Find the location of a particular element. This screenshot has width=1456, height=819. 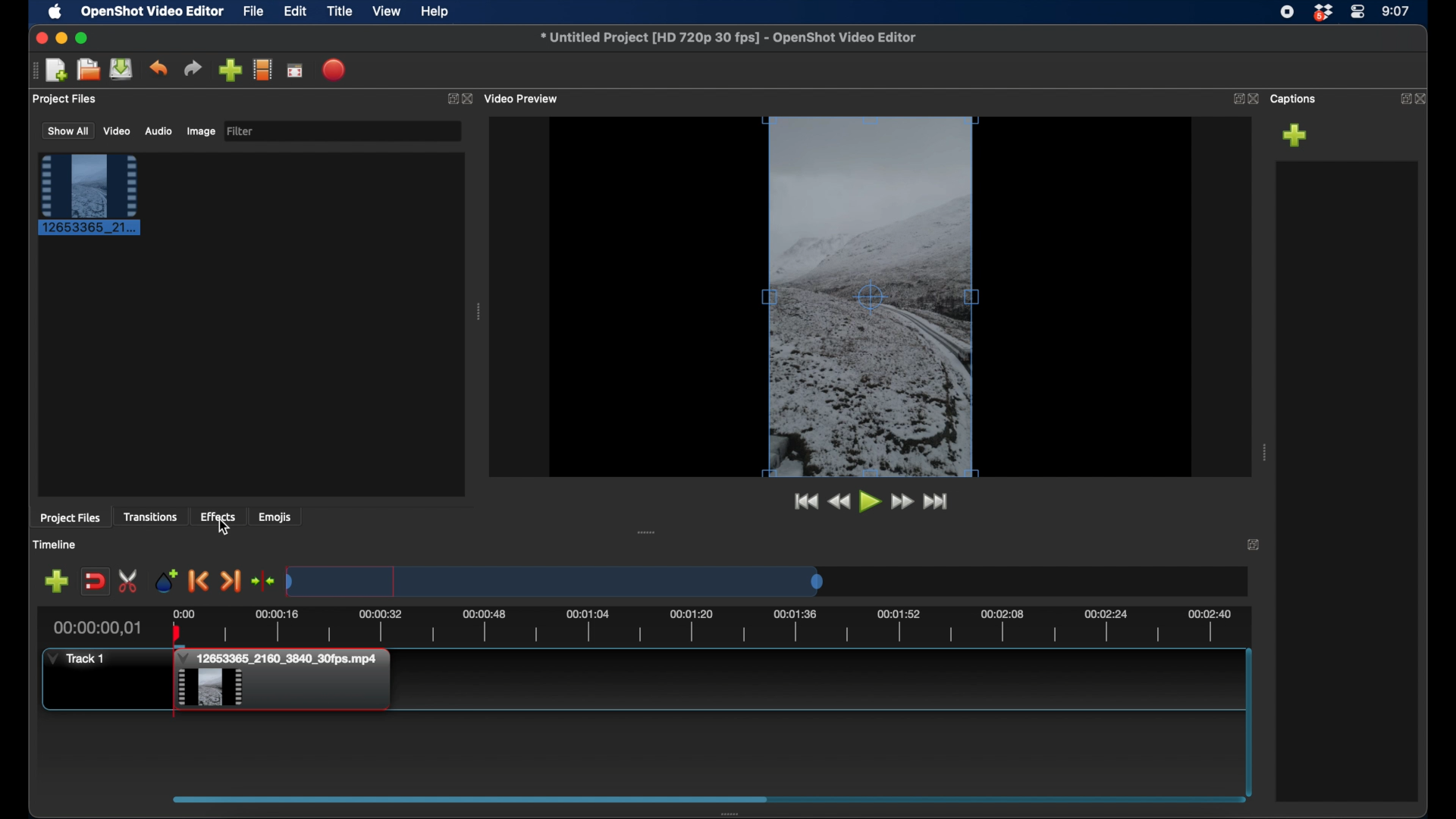

enable razor is located at coordinates (129, 580).